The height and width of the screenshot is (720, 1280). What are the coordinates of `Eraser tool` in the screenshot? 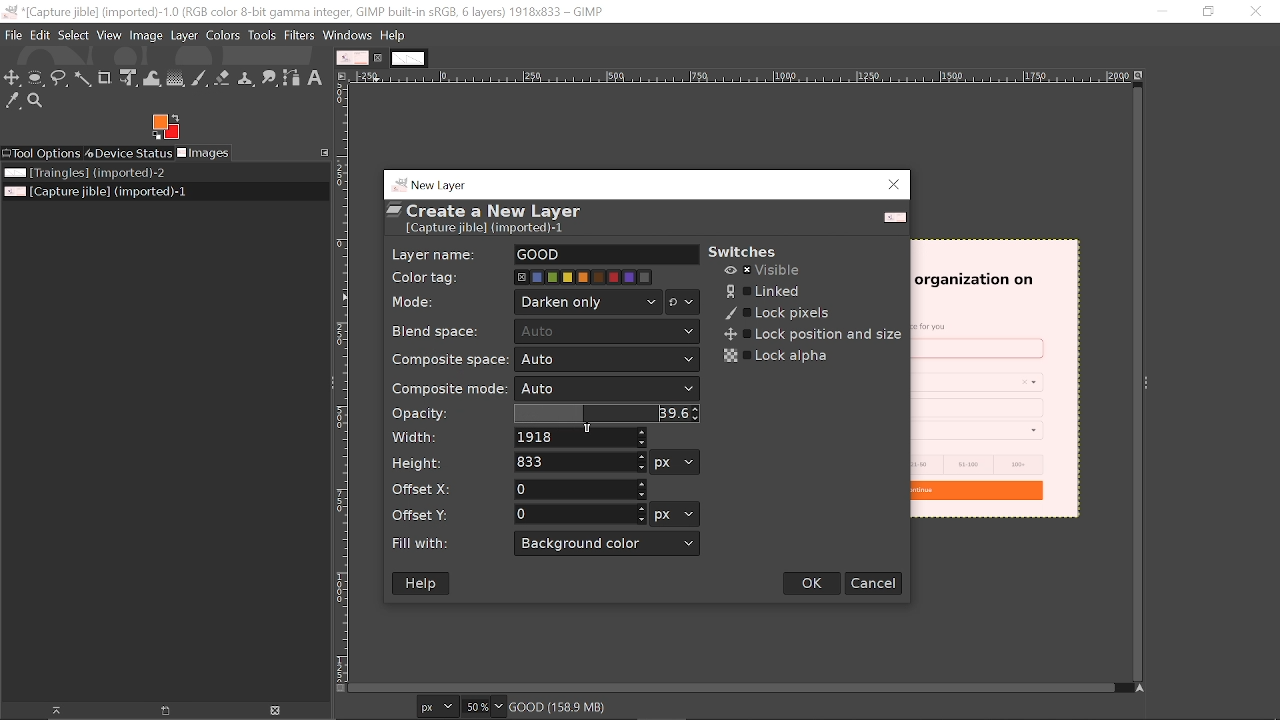 It's located at (223, 78).